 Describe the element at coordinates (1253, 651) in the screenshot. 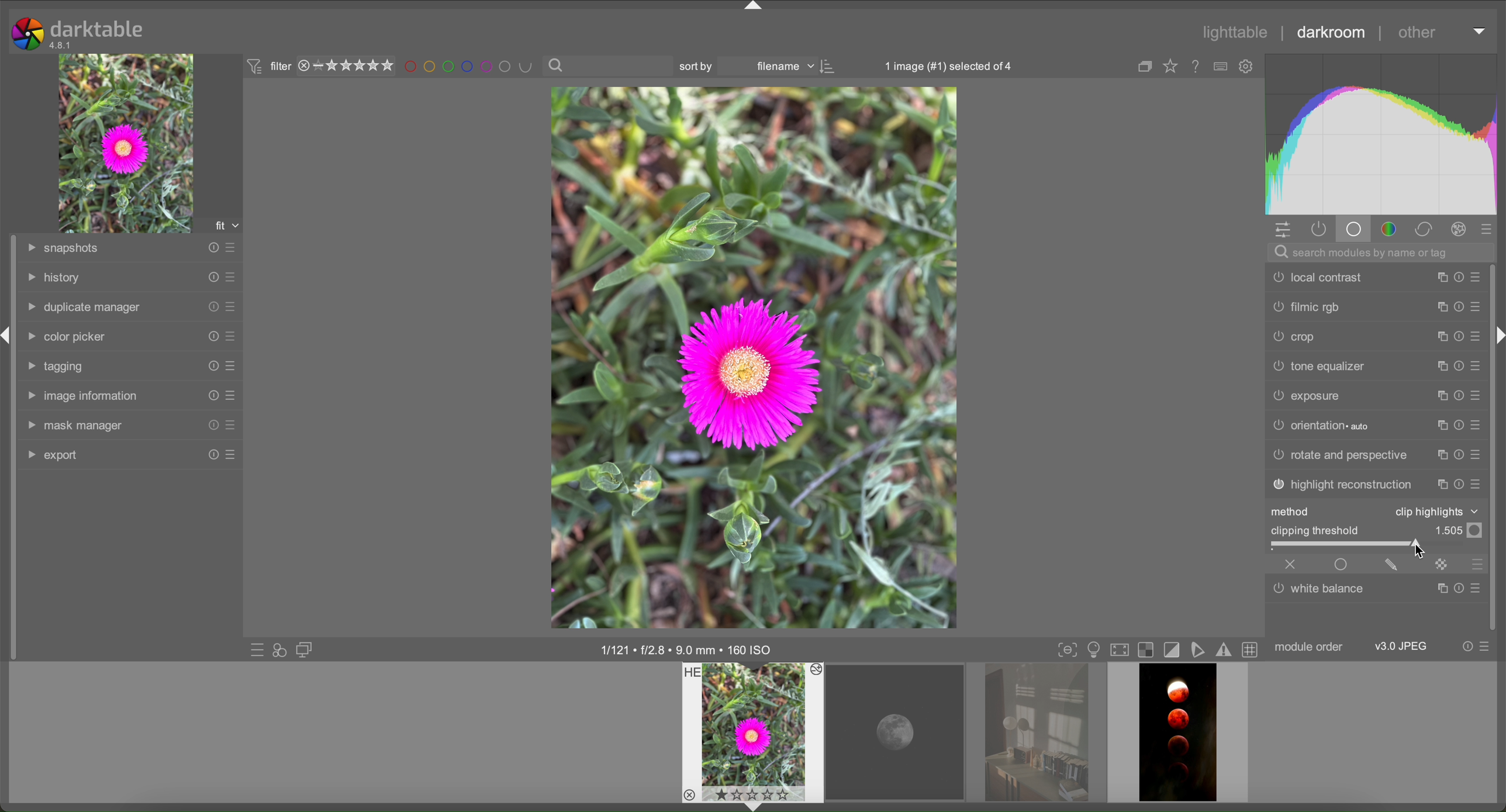

I see `toggle guidelines` at that location.